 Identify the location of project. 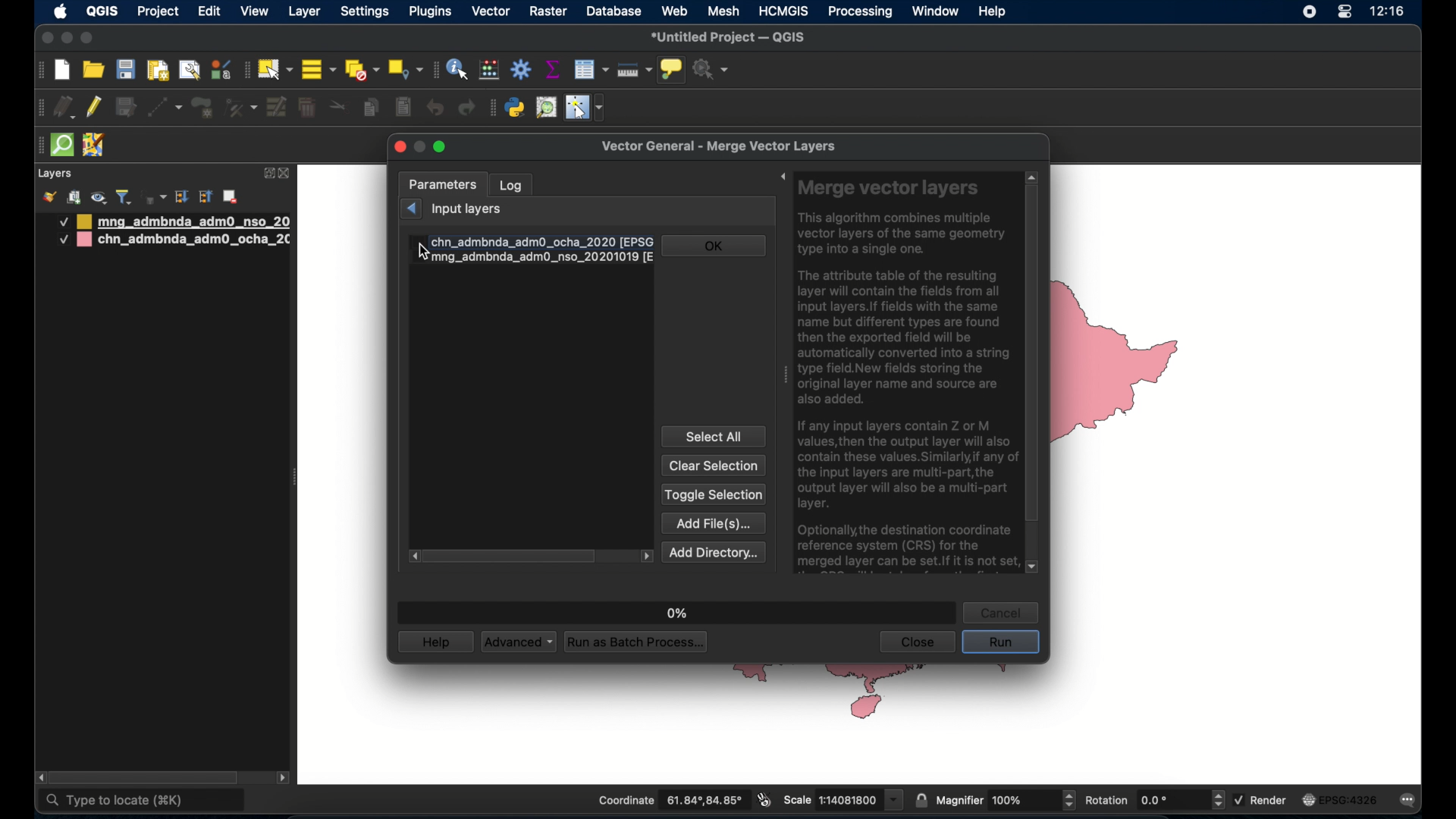
(159, 13).